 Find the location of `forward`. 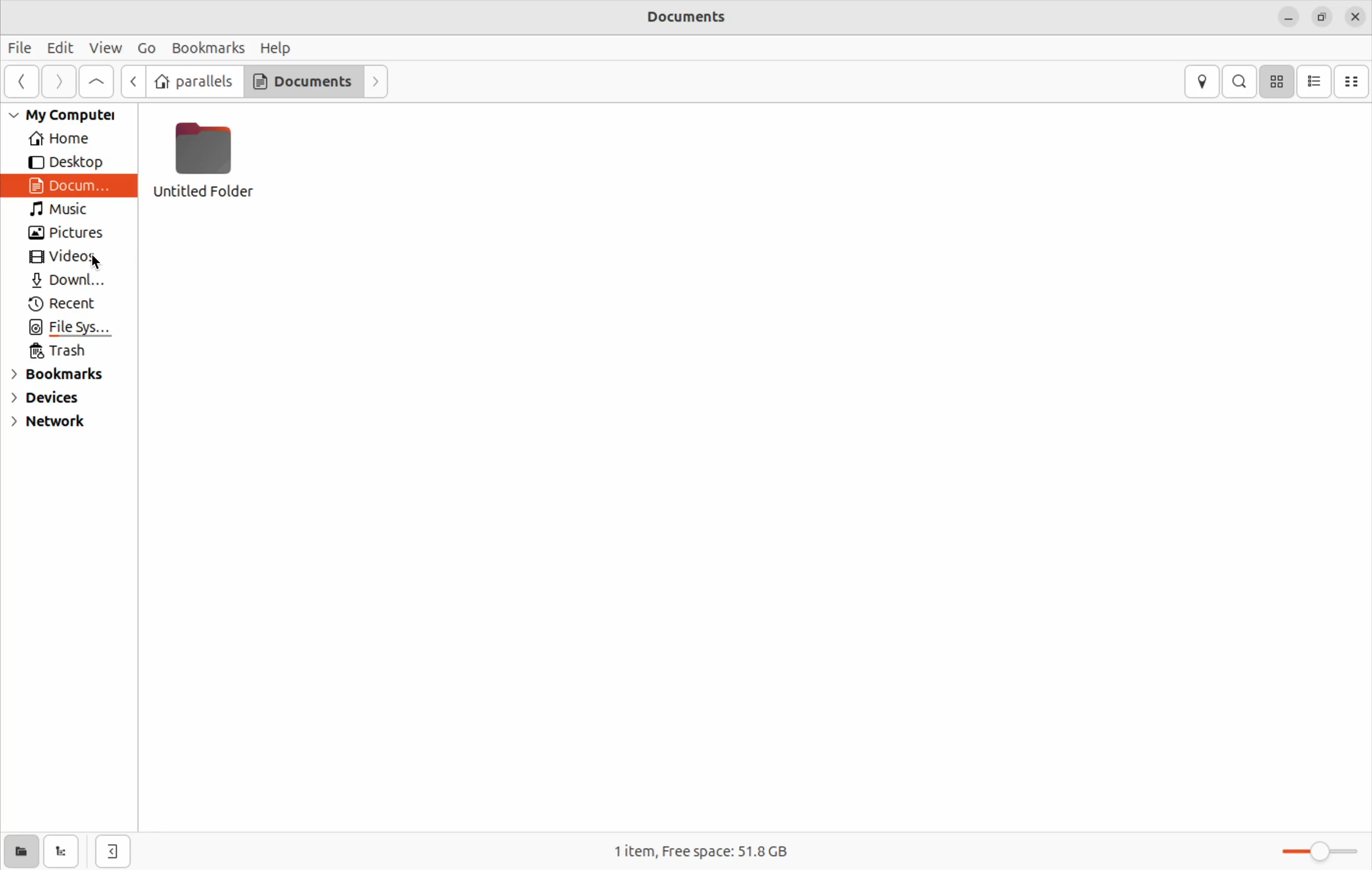

forward is located at coordinates (377, 82).